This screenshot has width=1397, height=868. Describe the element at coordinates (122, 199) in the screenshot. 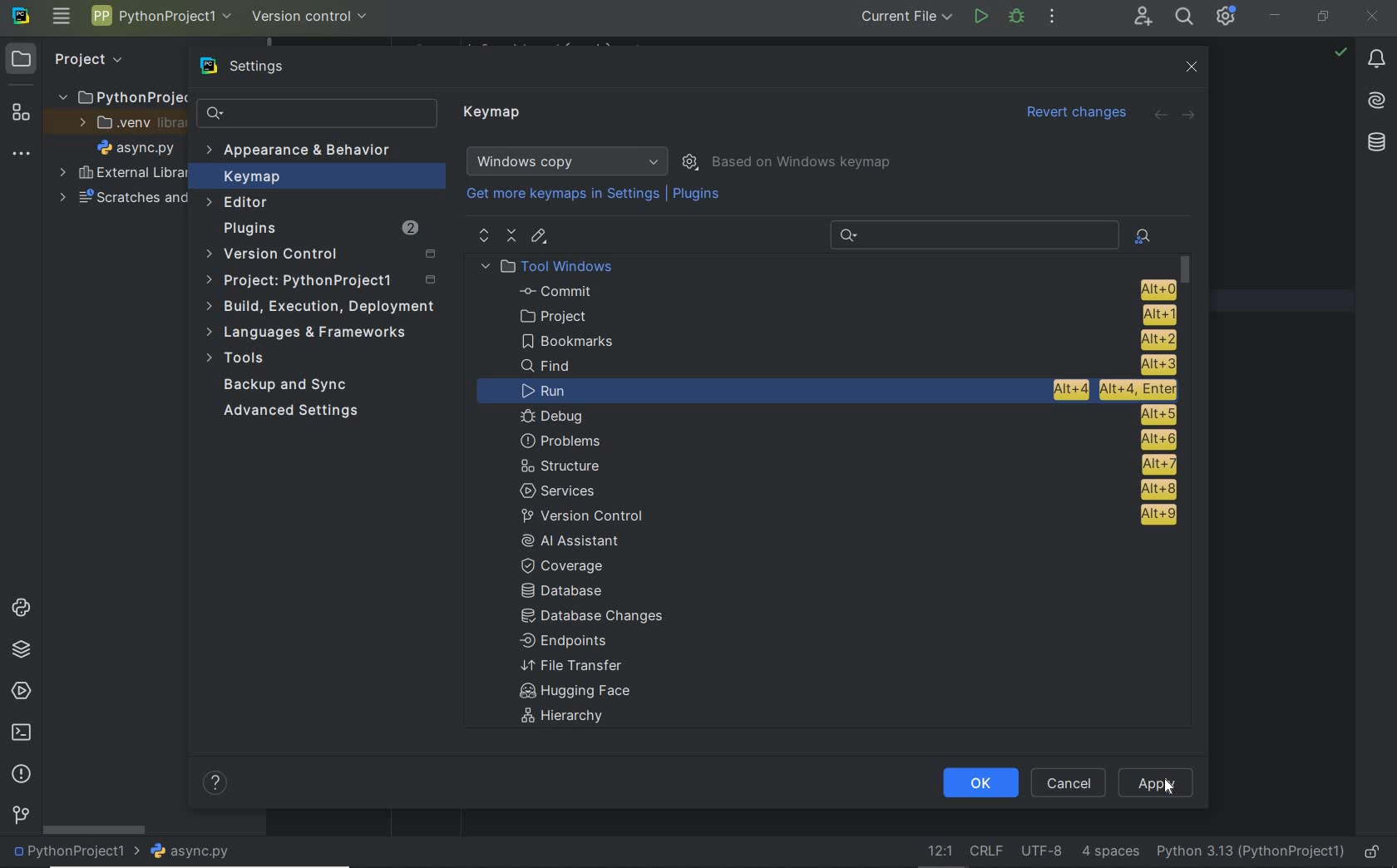

I see `scratches and consoles` at that location.